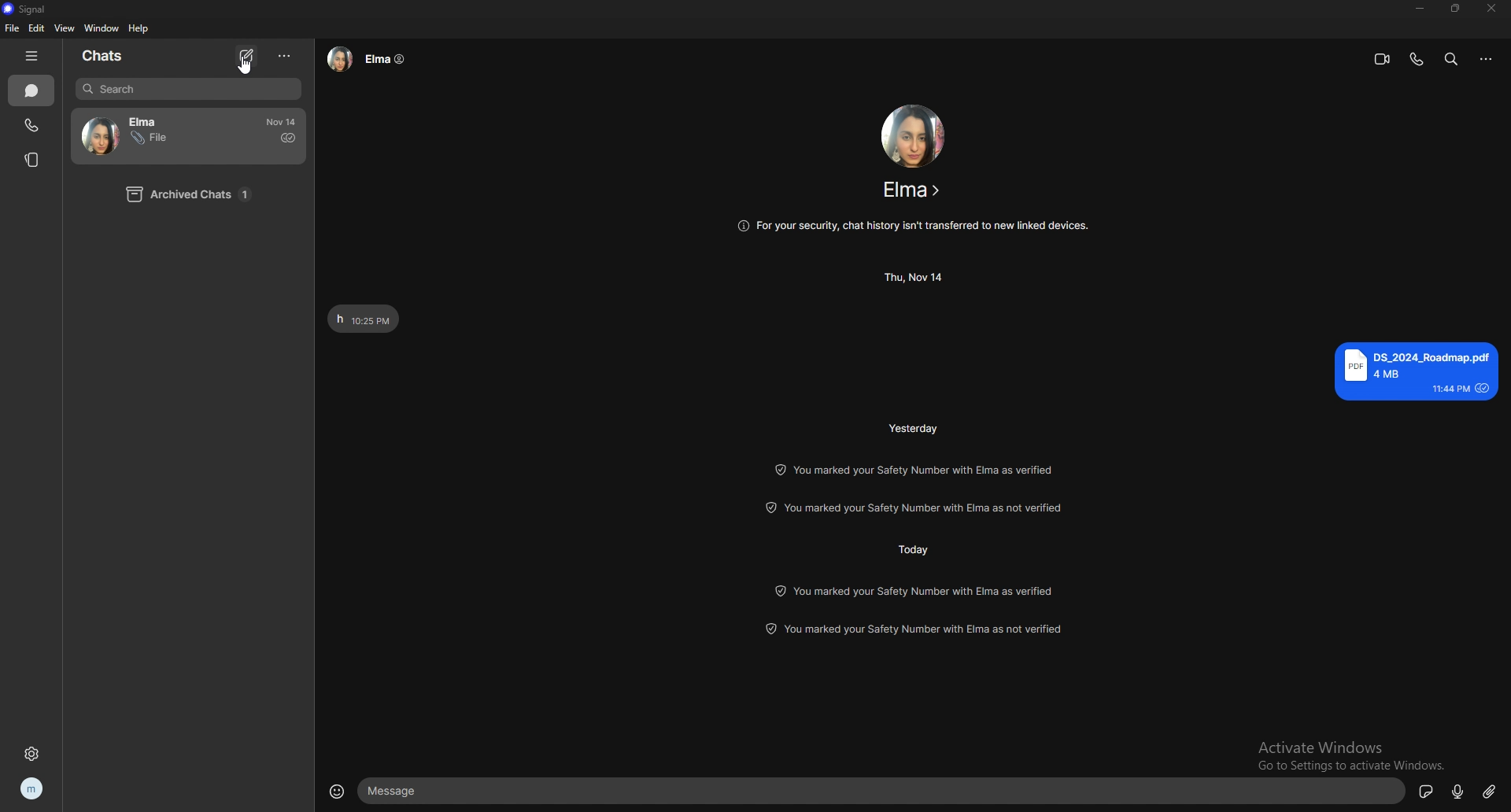 Image resolution: width=1511 pixels, height=812 pixels. I want to click on search, so click(189, 90).